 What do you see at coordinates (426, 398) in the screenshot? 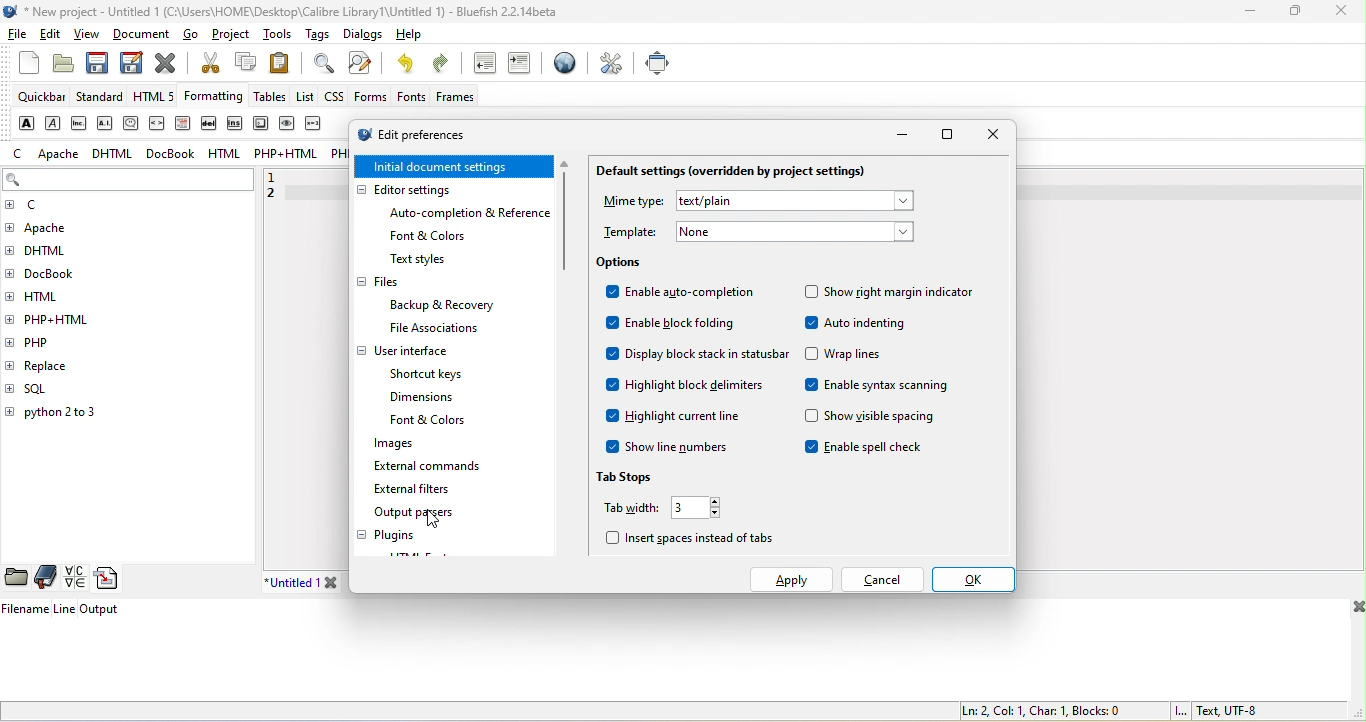
I see `dimensions` at bounding box center [426, 398].